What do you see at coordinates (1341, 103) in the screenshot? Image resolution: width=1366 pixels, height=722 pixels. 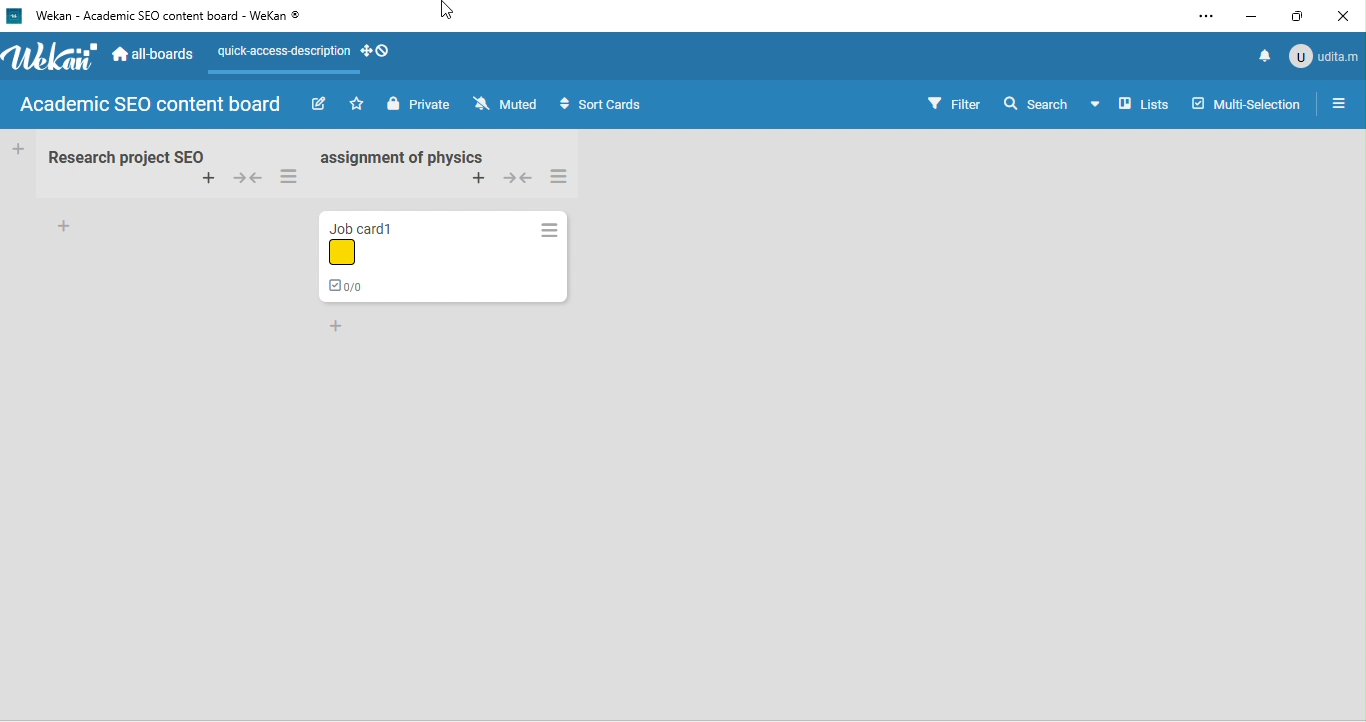 I see `open/close sidebar` at bounding box center [1341, 103].